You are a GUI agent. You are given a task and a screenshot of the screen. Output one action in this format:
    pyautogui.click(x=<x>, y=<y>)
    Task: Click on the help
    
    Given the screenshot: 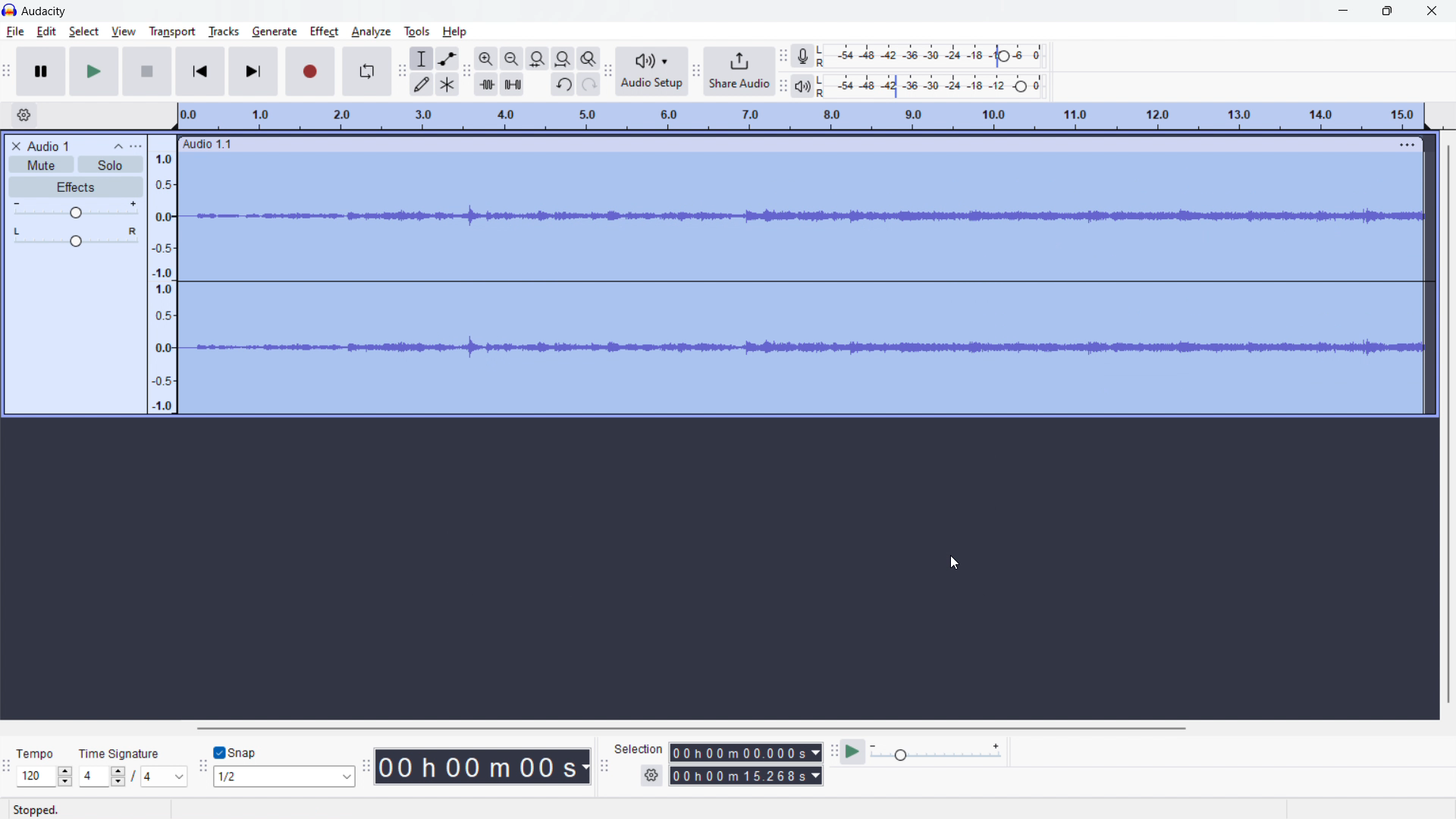 What is the action you would take?
    pyautogui.click(x=455, y=32)
    